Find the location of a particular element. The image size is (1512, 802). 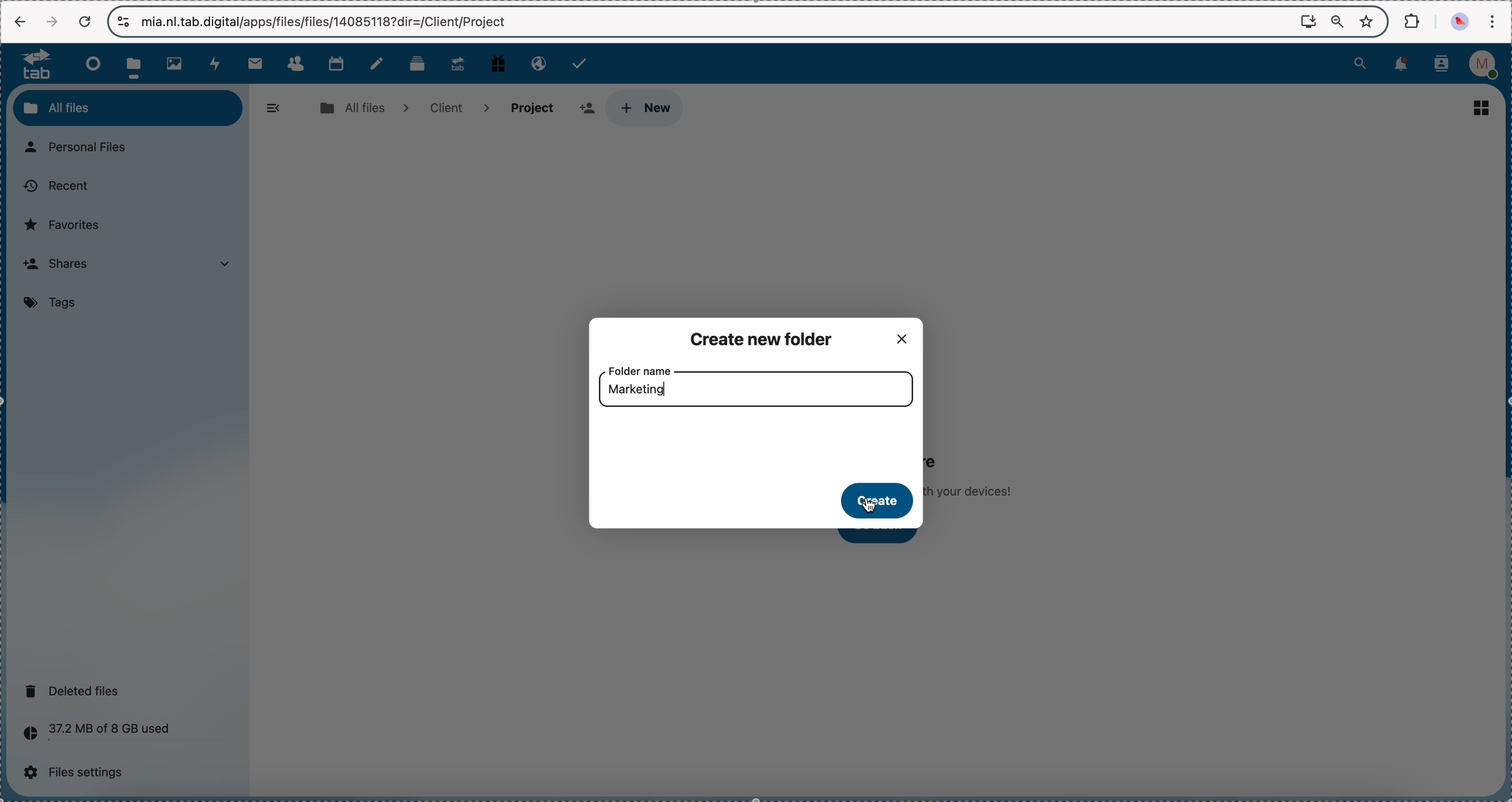

controls is located at coordinates (124, 22).